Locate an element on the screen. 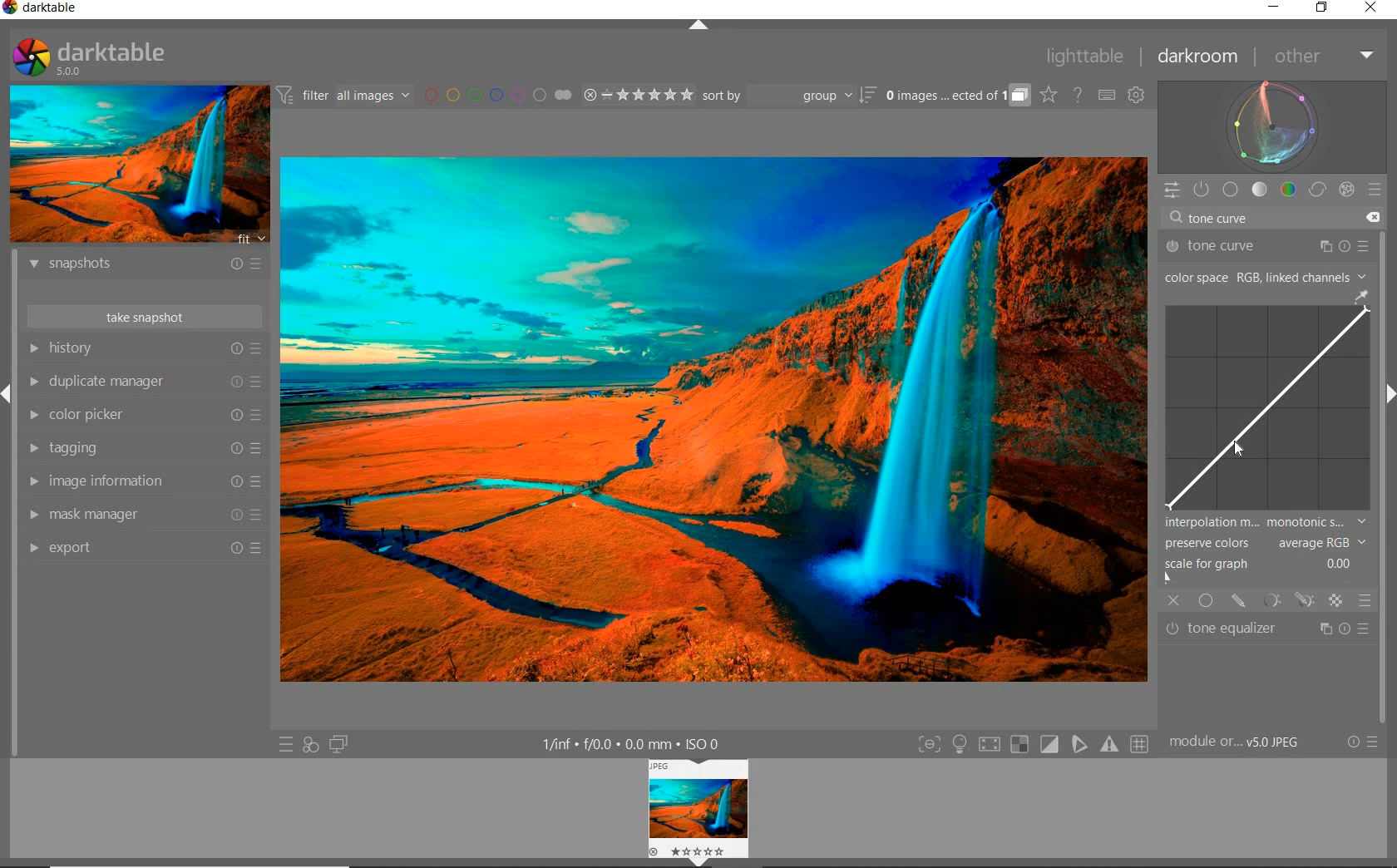  color is located at coordinates (1287, 190).